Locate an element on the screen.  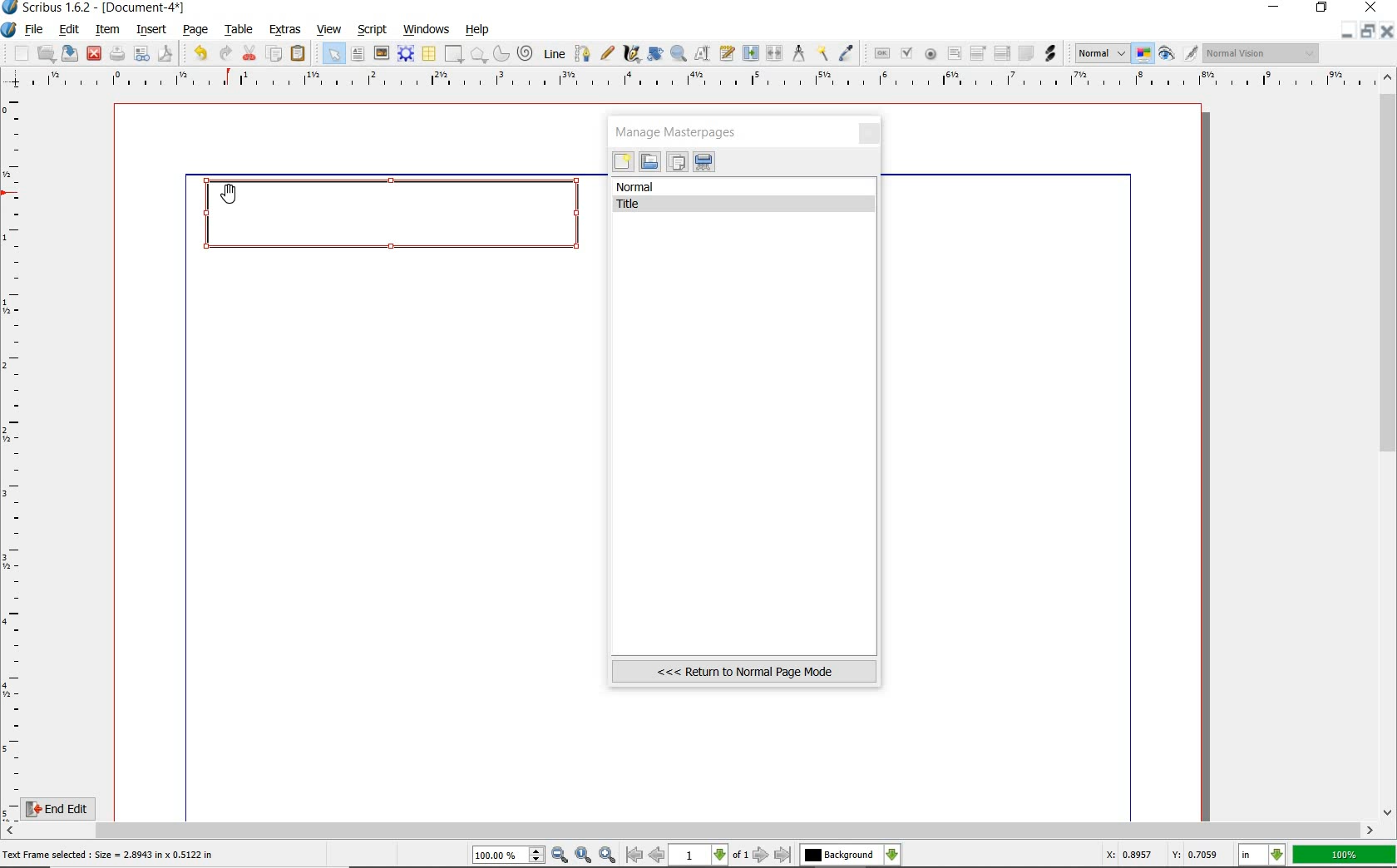
preflight verifier is located at coordinates (142, 55).